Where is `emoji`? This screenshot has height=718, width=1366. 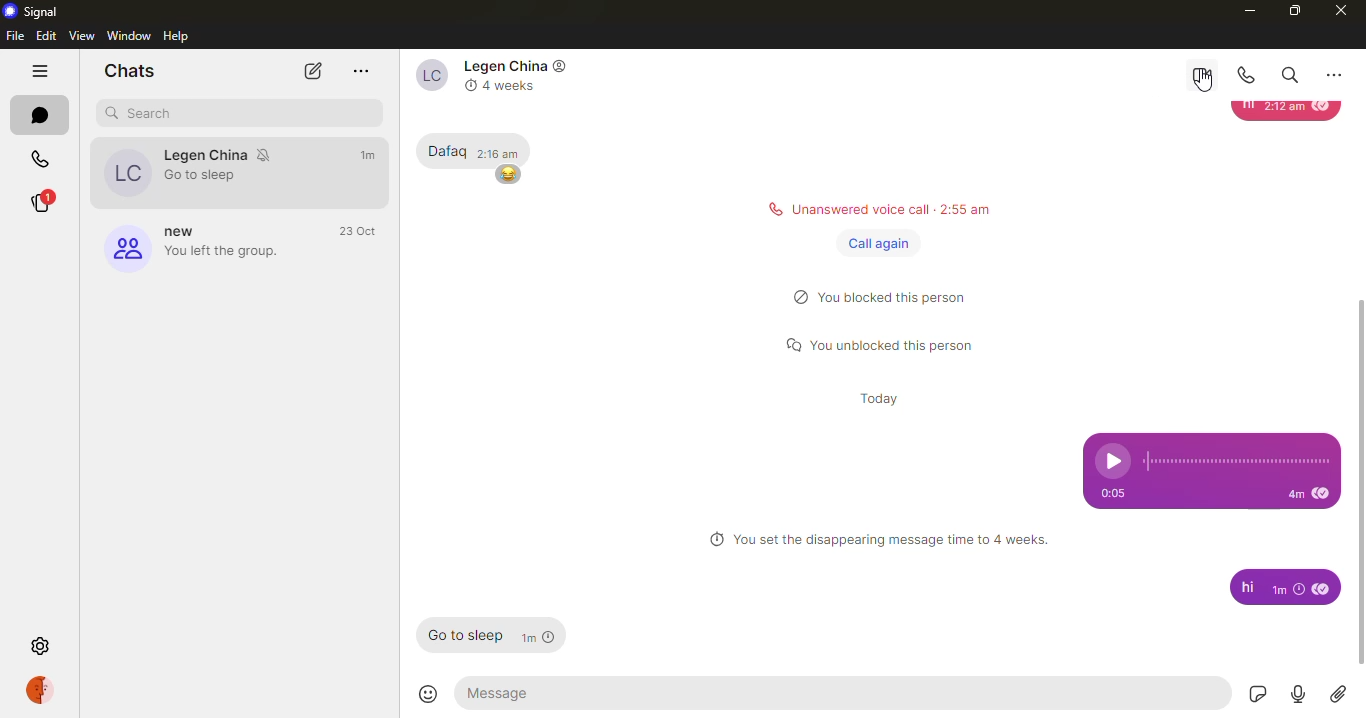
emoji is located at coordinates (506, 175).